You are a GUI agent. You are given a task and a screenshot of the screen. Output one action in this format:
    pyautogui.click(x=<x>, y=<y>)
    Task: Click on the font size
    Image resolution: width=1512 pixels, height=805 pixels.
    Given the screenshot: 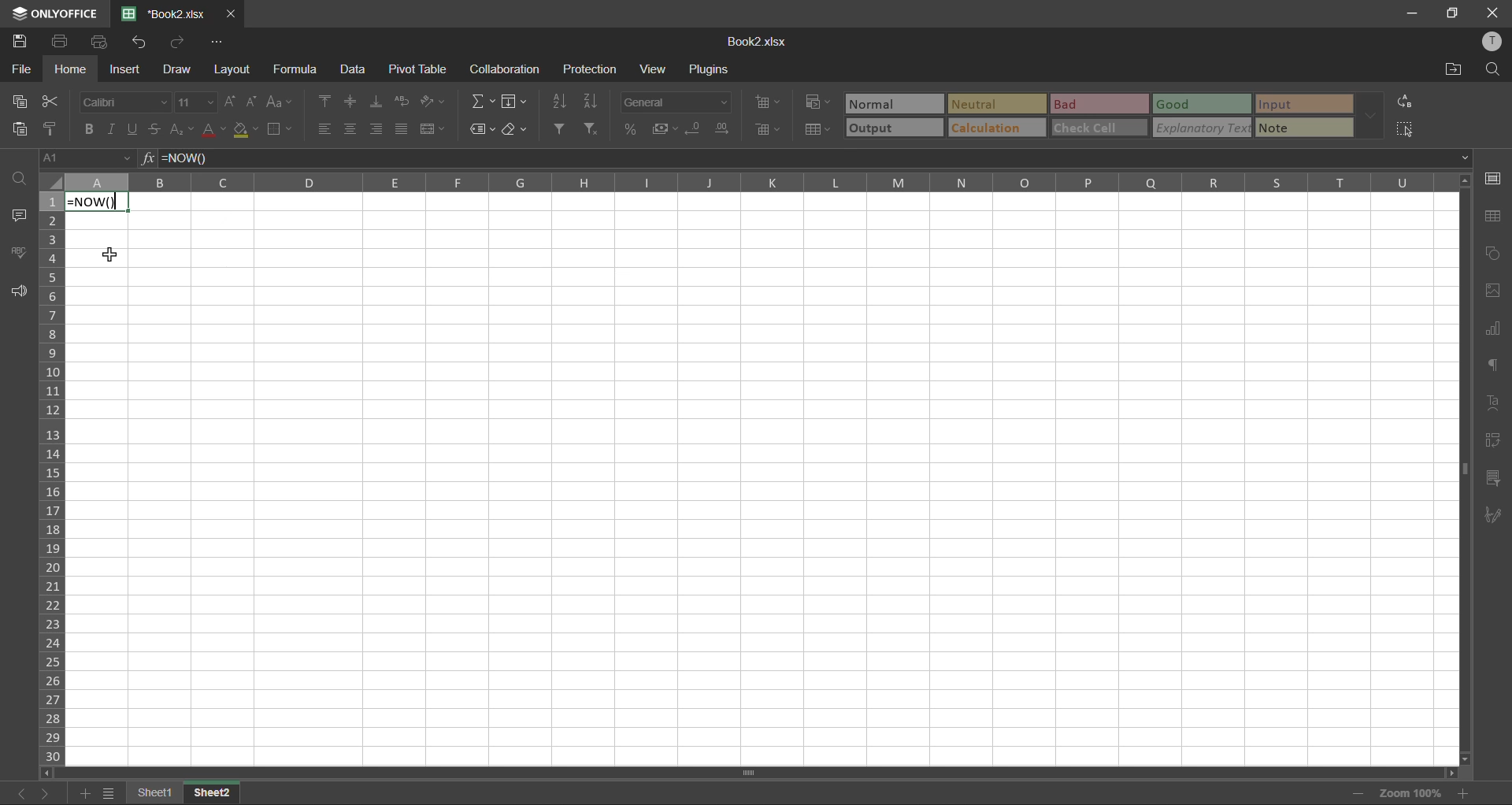 What is the action you would take?
    pyautogui.click(x=198, y=102)
    